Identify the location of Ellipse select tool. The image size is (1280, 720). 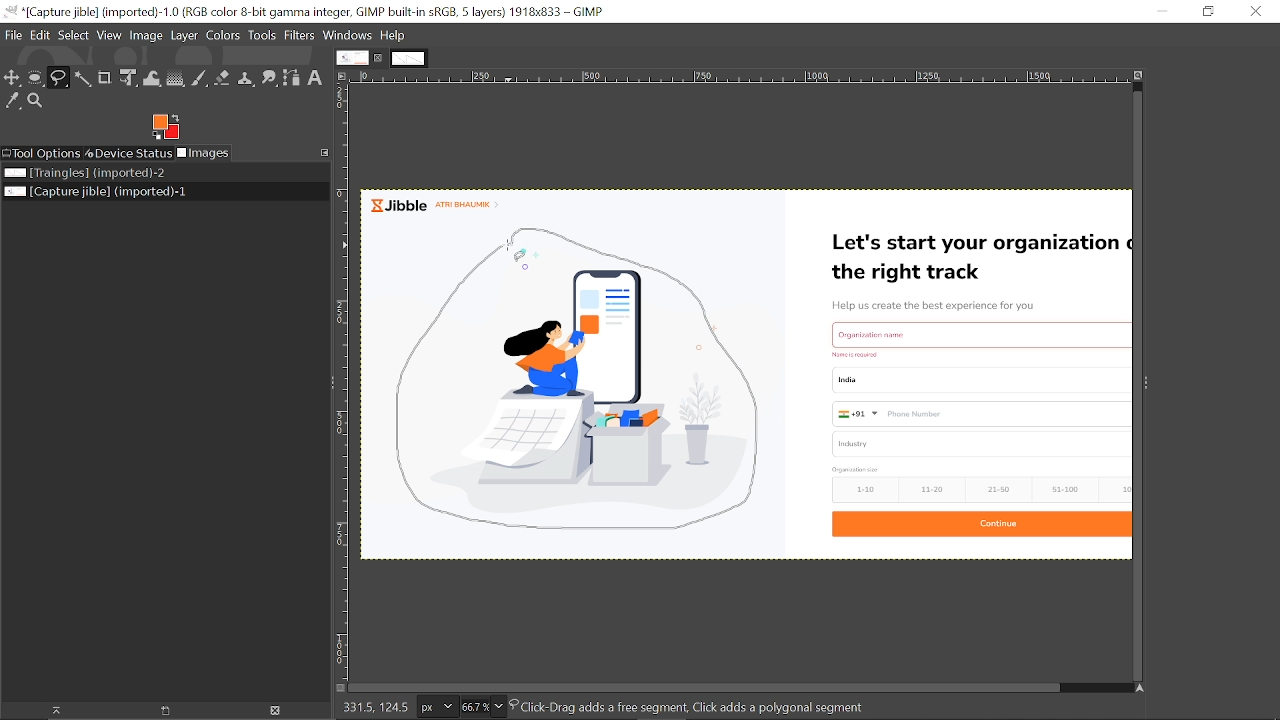
(36, 79).